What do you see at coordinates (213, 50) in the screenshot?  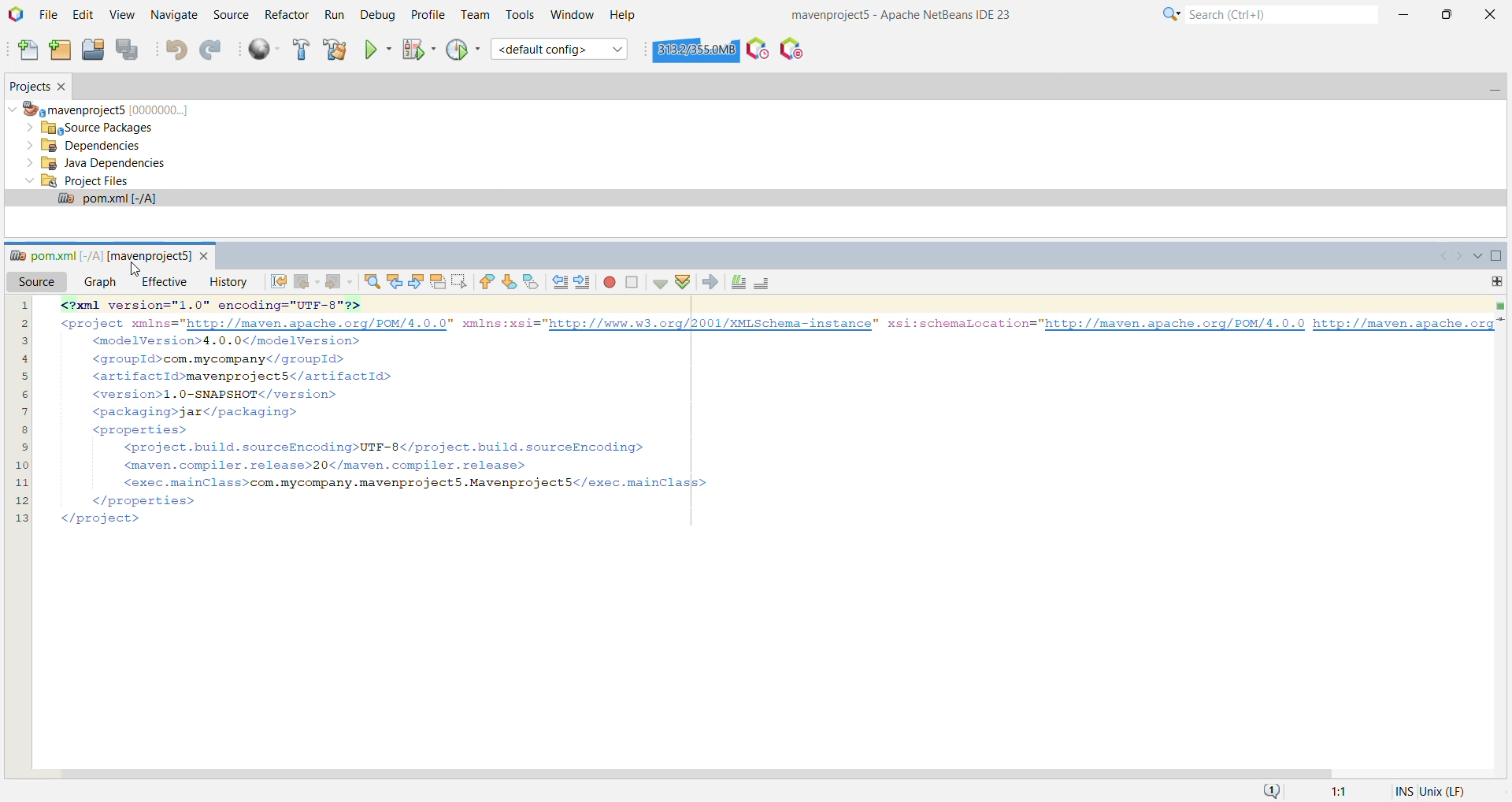 I see `Redo` at bounding box center [213, 50].